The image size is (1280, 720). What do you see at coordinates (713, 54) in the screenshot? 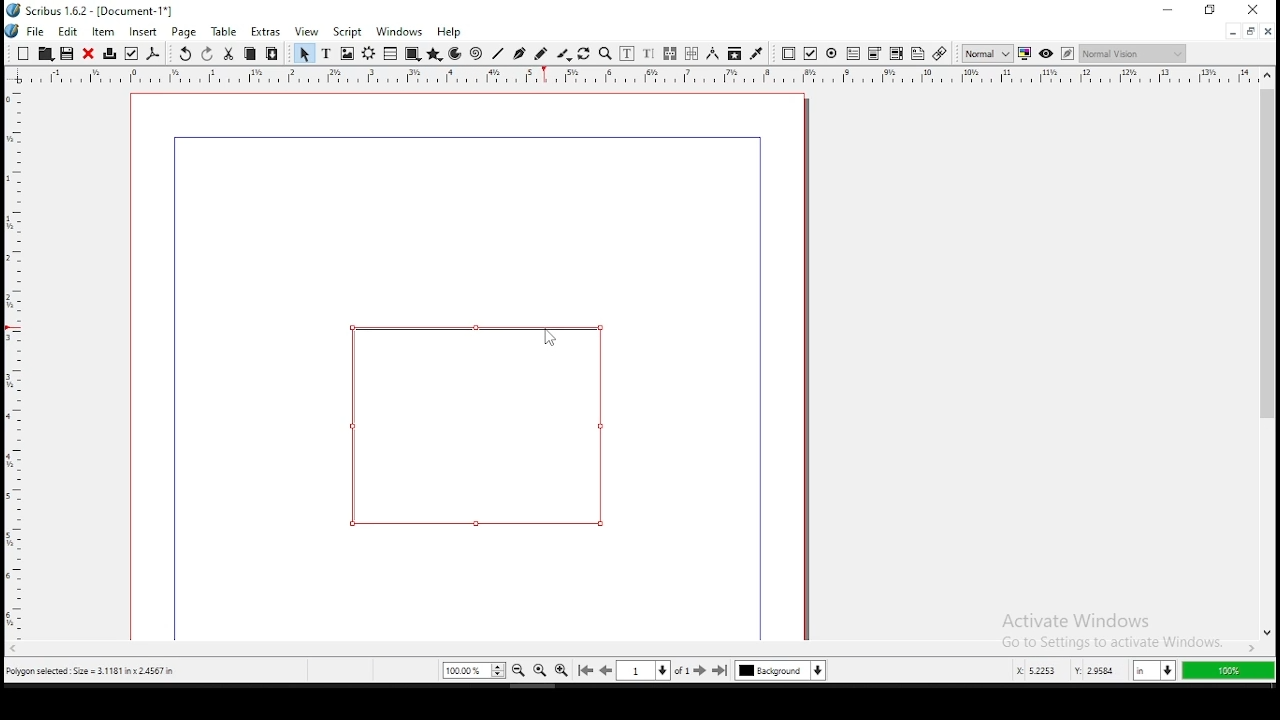
I see `measurement` at bounding box center [713, 54].